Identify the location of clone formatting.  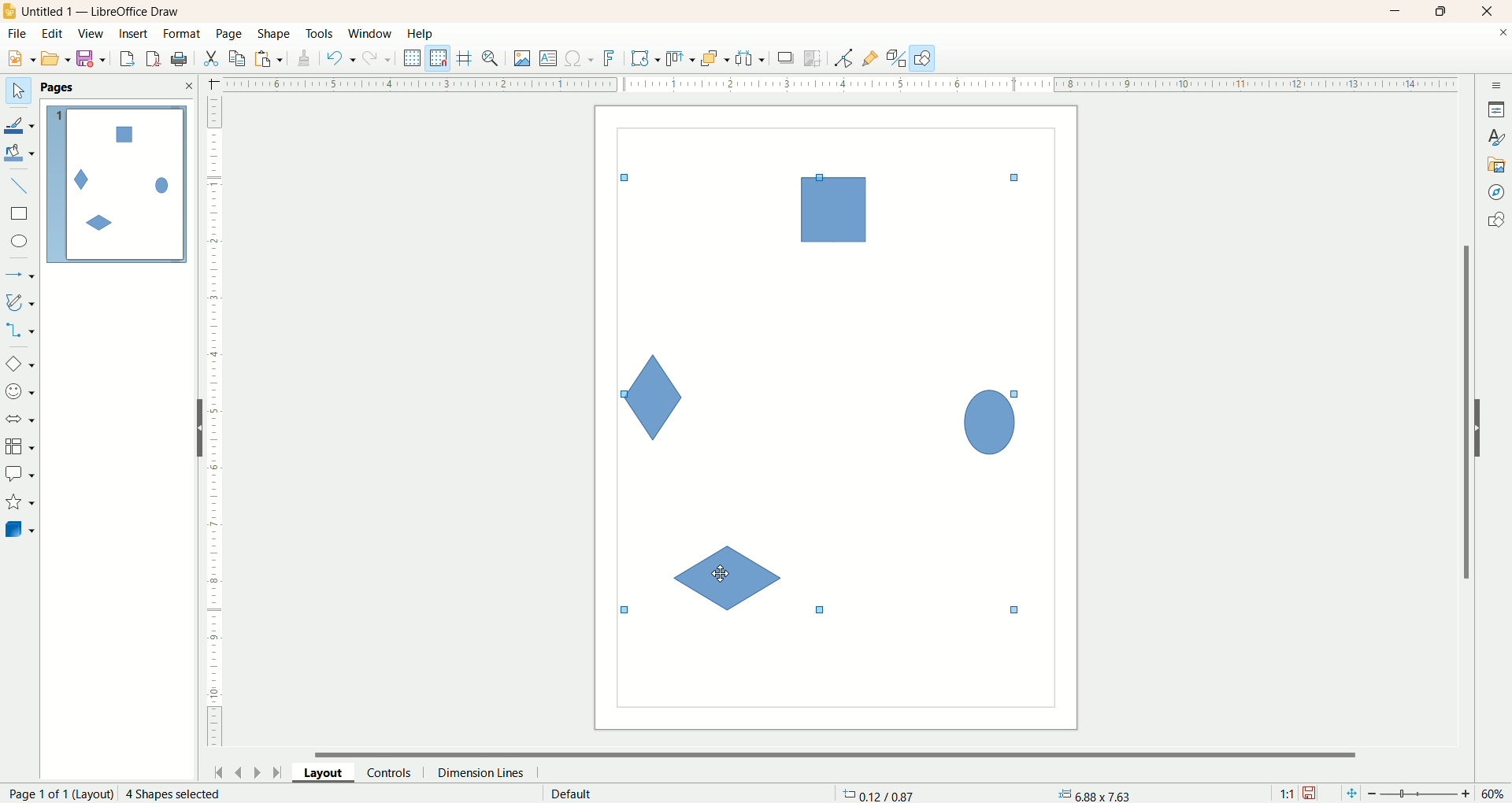
(305, 56).